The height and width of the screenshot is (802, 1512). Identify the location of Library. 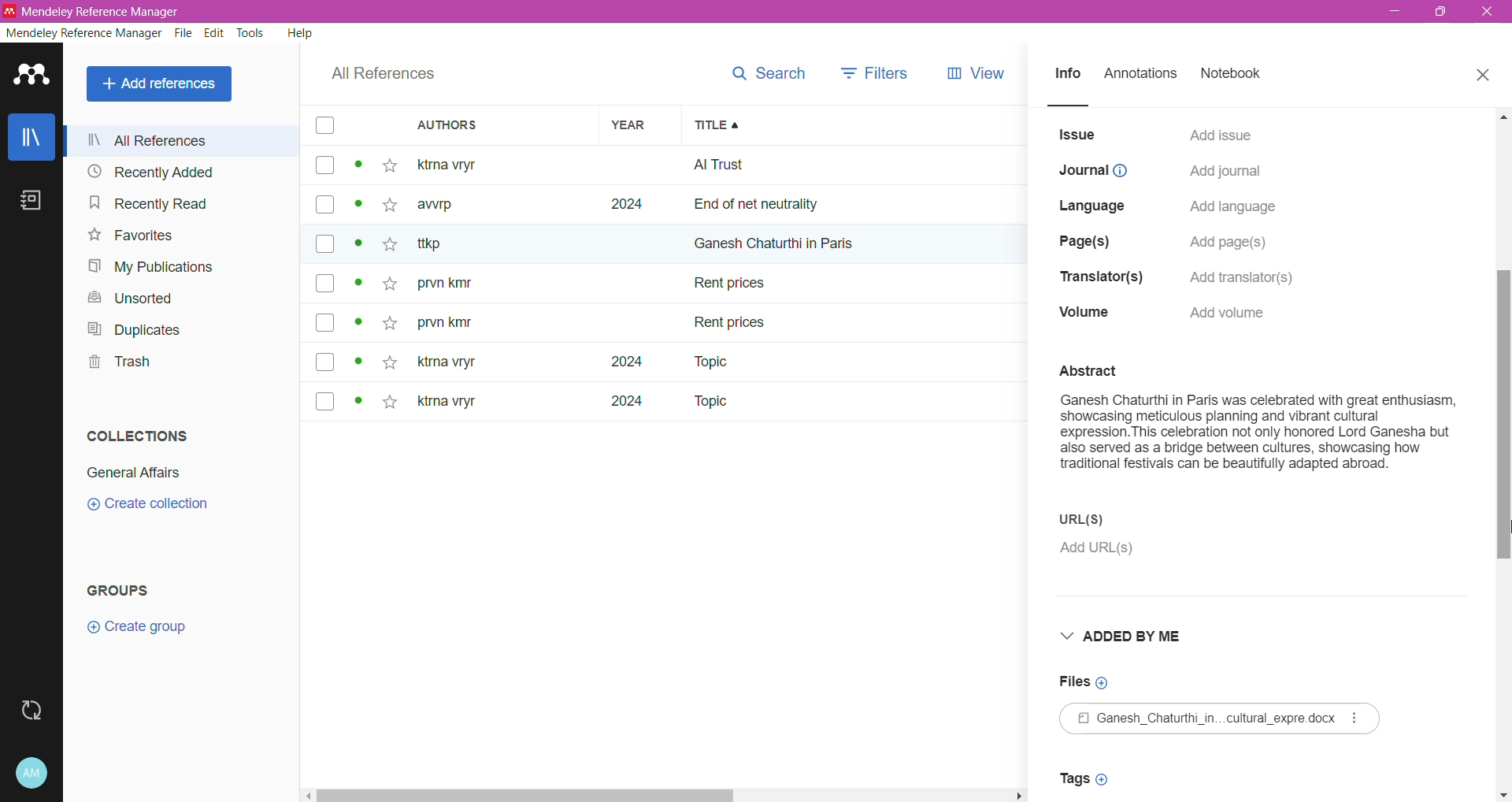
(31, 136).